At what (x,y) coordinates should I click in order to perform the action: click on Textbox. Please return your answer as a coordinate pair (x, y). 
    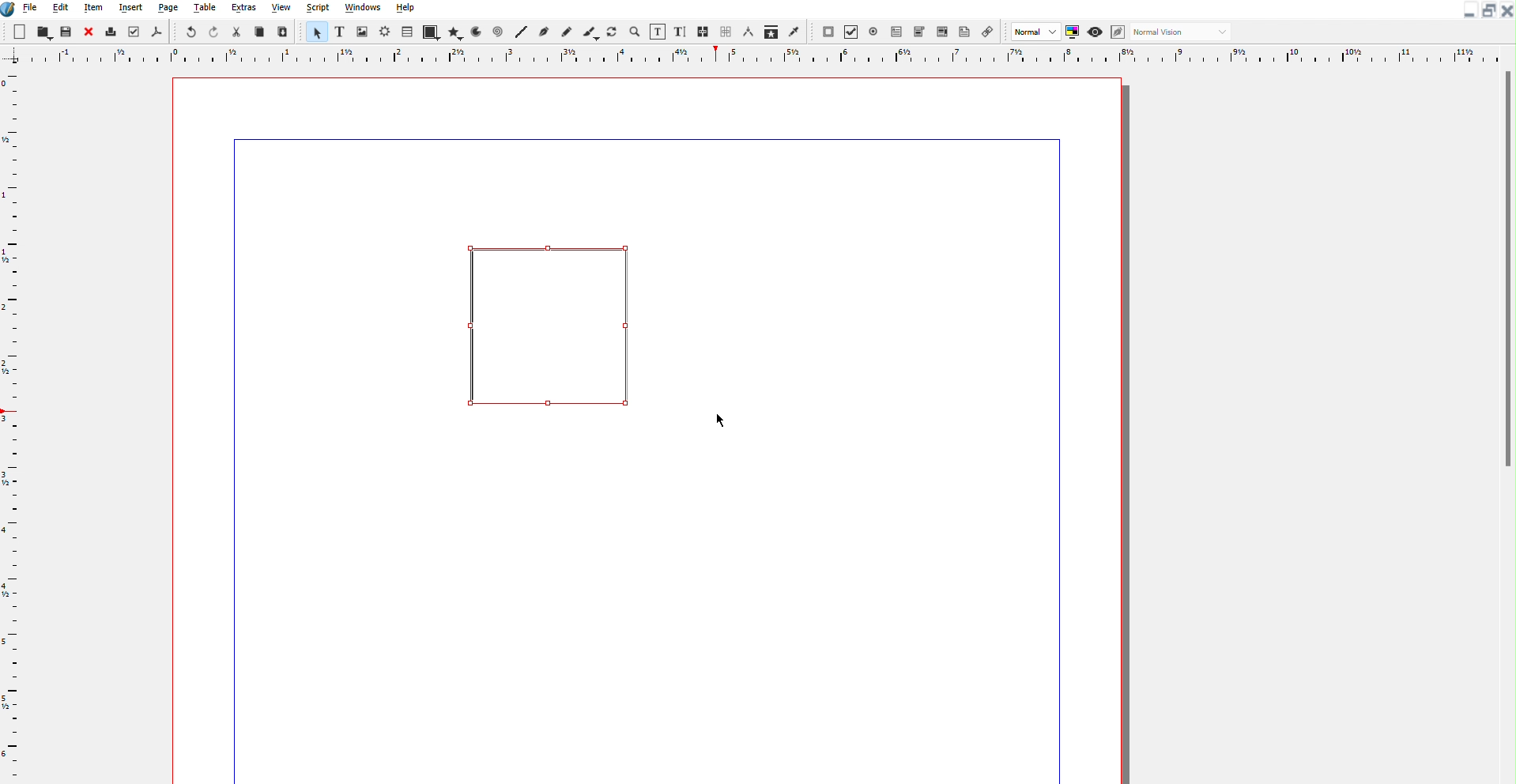
    Looking at the image, I should click on (656, 31).